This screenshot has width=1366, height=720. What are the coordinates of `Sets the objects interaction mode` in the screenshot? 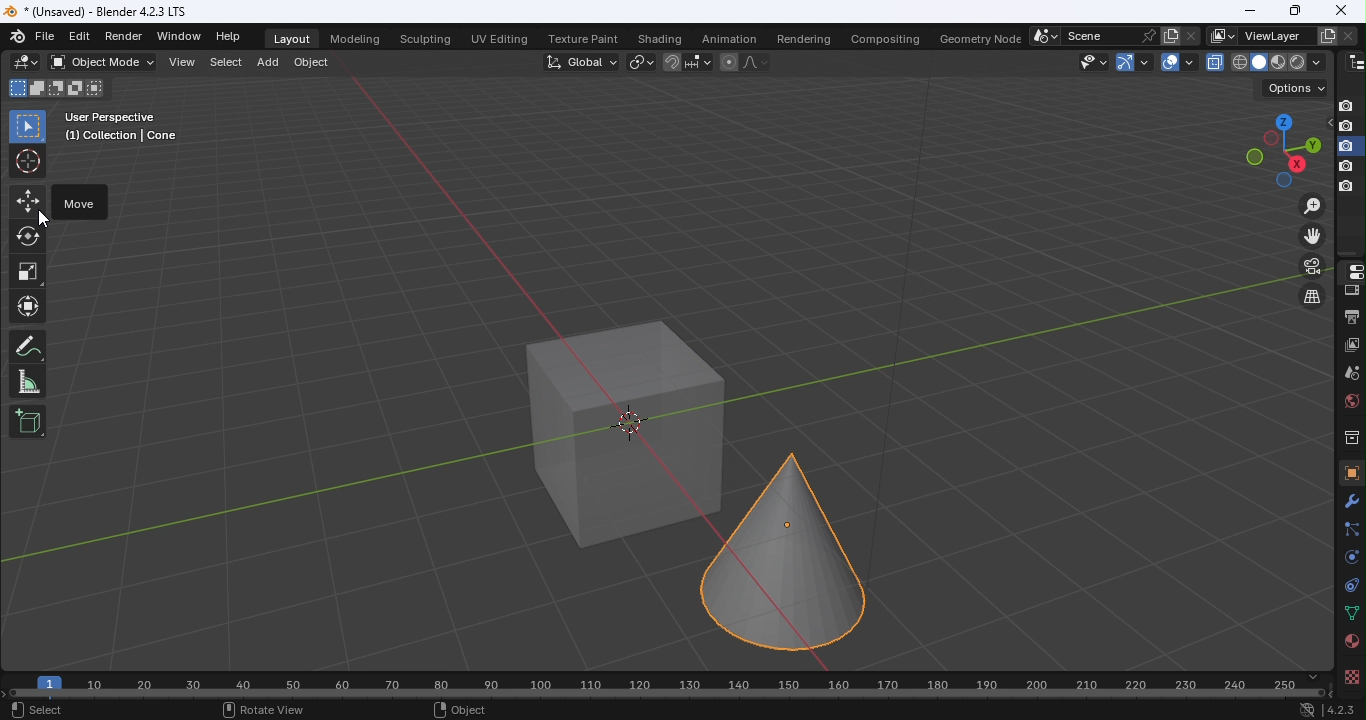 It's located at (101, 63).